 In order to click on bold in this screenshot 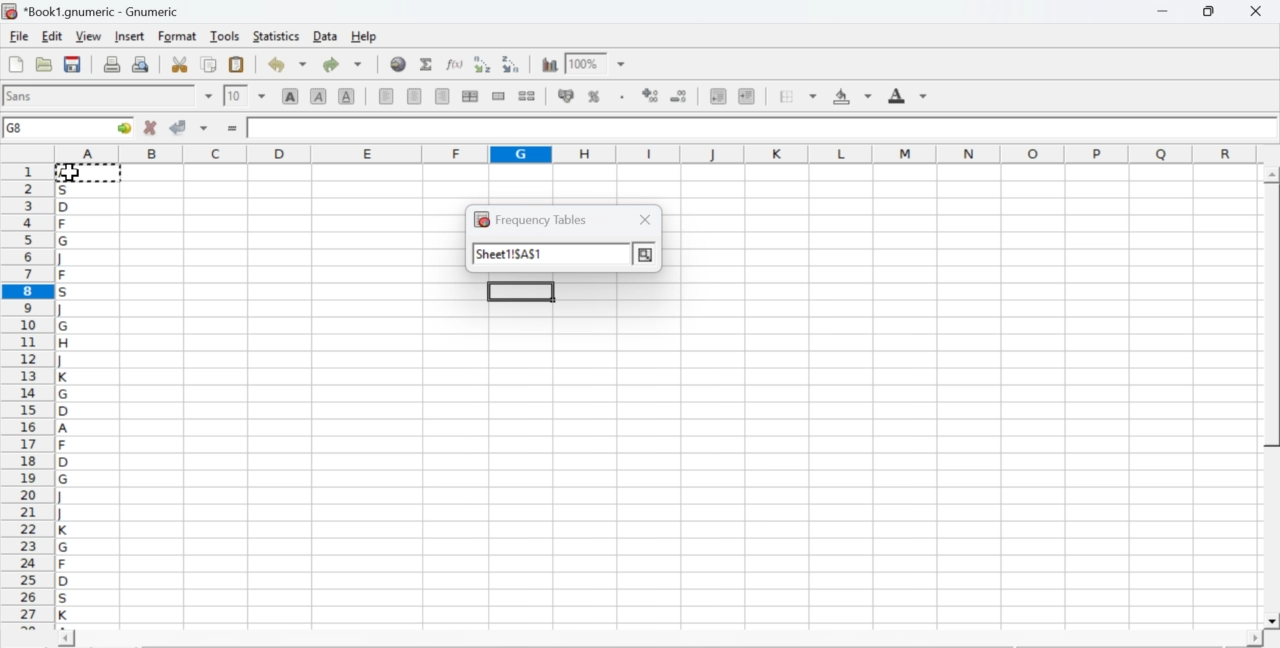, I will do `click(291, 95)`.